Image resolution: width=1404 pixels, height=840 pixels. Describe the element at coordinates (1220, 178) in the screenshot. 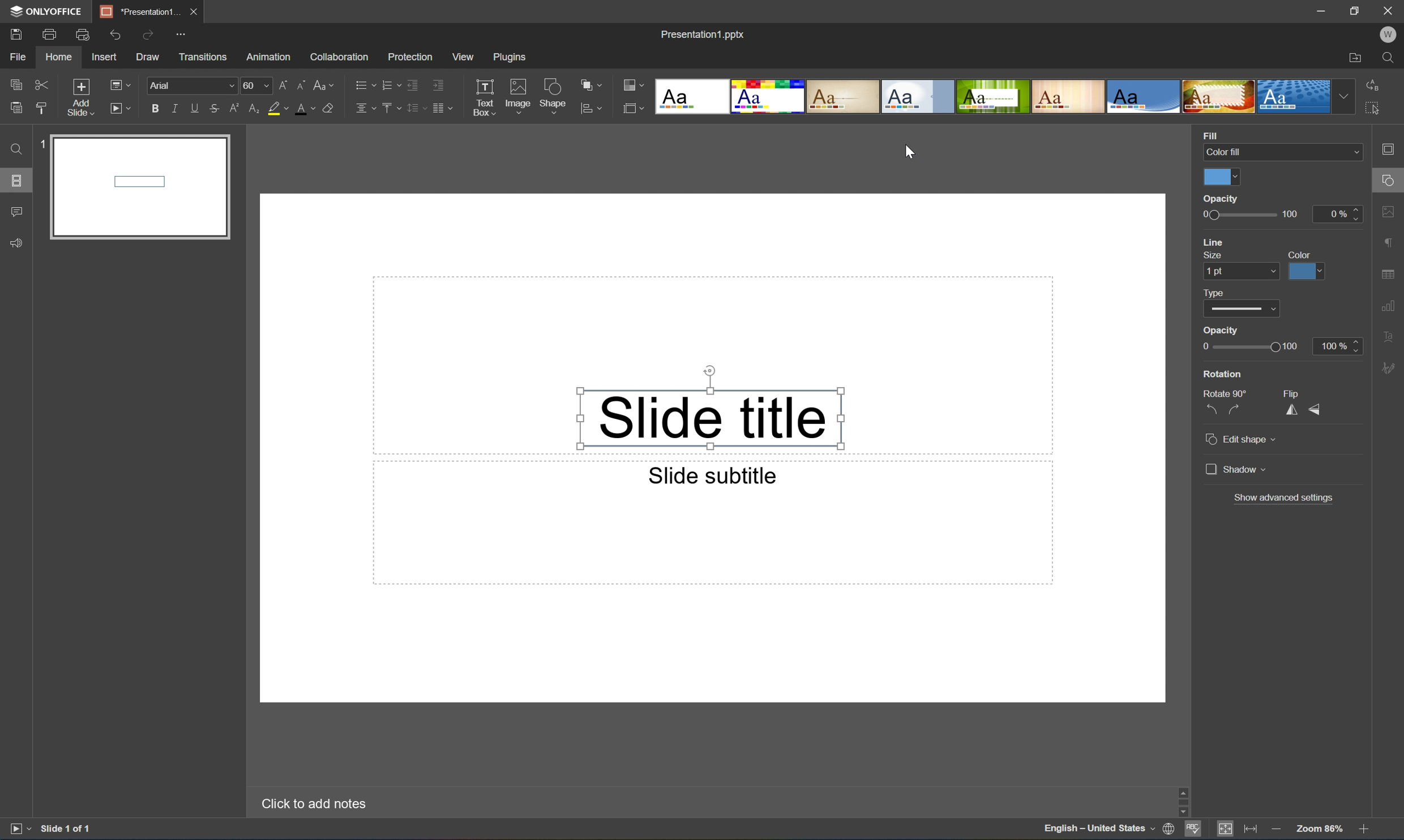

I see `Color` at that location.